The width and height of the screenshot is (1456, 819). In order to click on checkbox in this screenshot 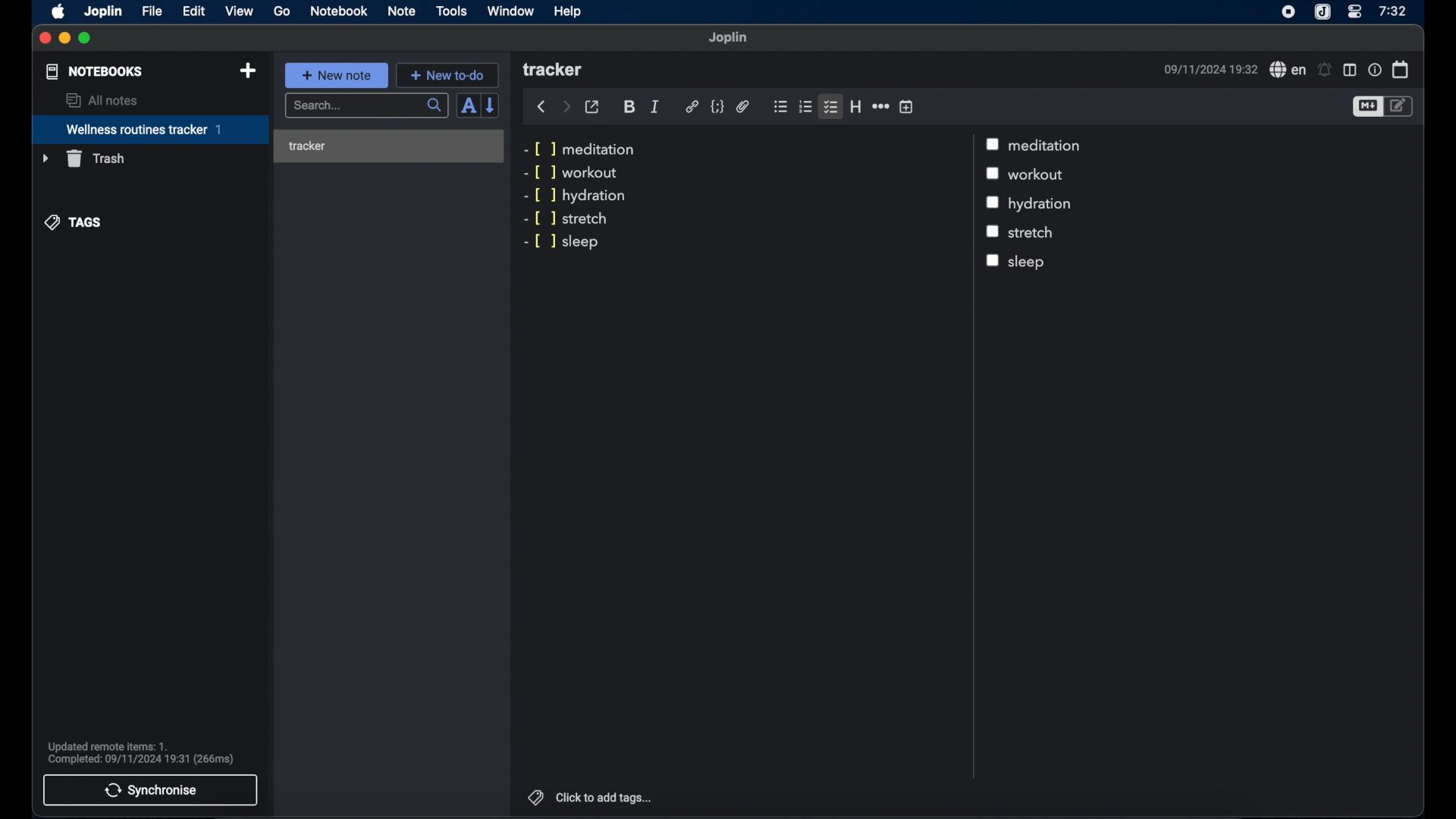, I will do `click(994, 143)`.